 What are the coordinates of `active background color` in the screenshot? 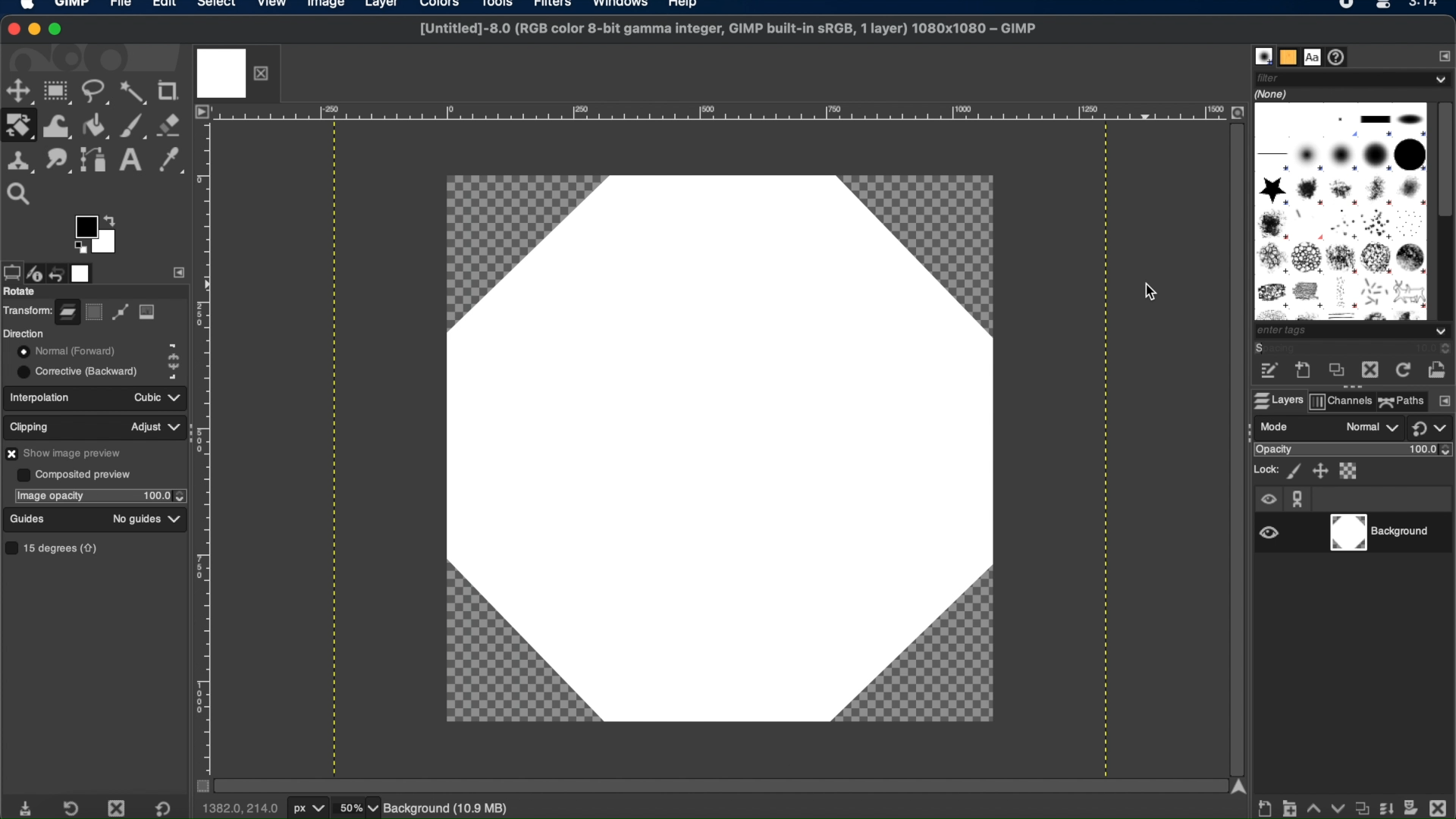 It's located at (108, 249).